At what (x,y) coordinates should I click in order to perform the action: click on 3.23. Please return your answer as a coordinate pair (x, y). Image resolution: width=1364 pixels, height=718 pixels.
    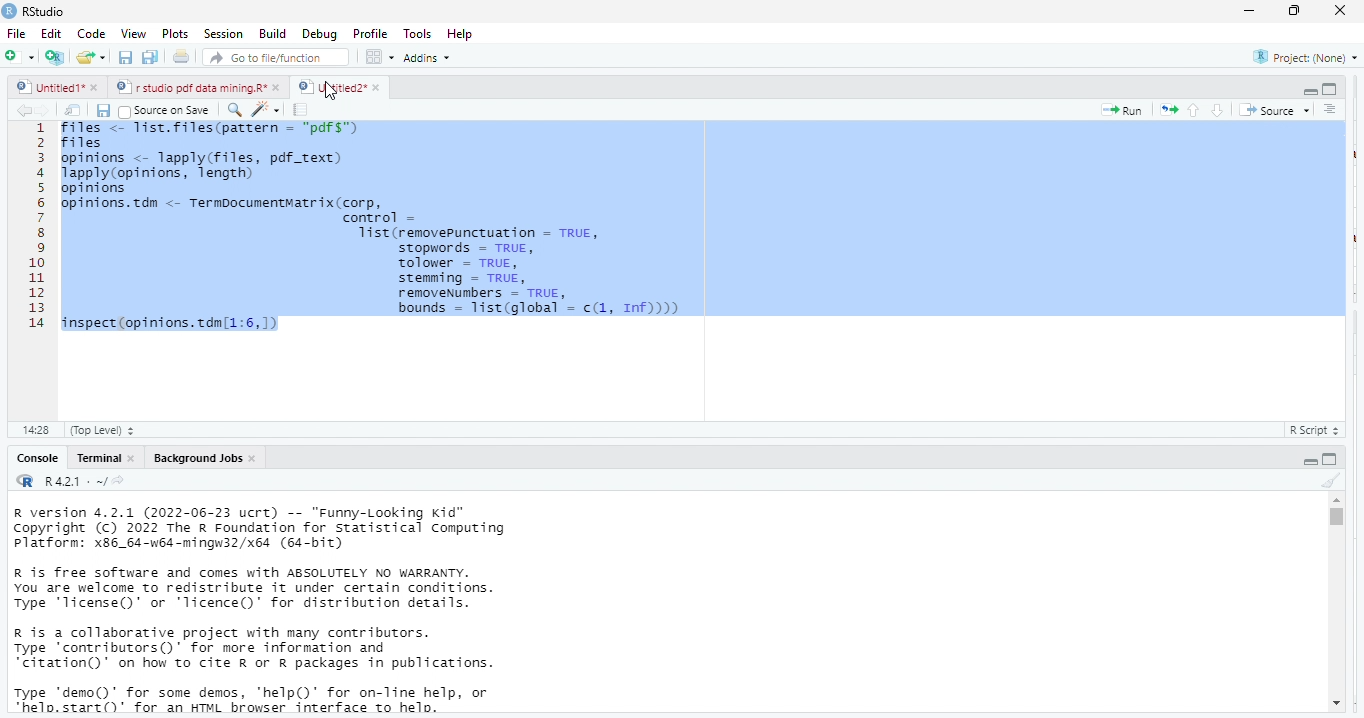
    Looking at the image, I should click on (35, 428).